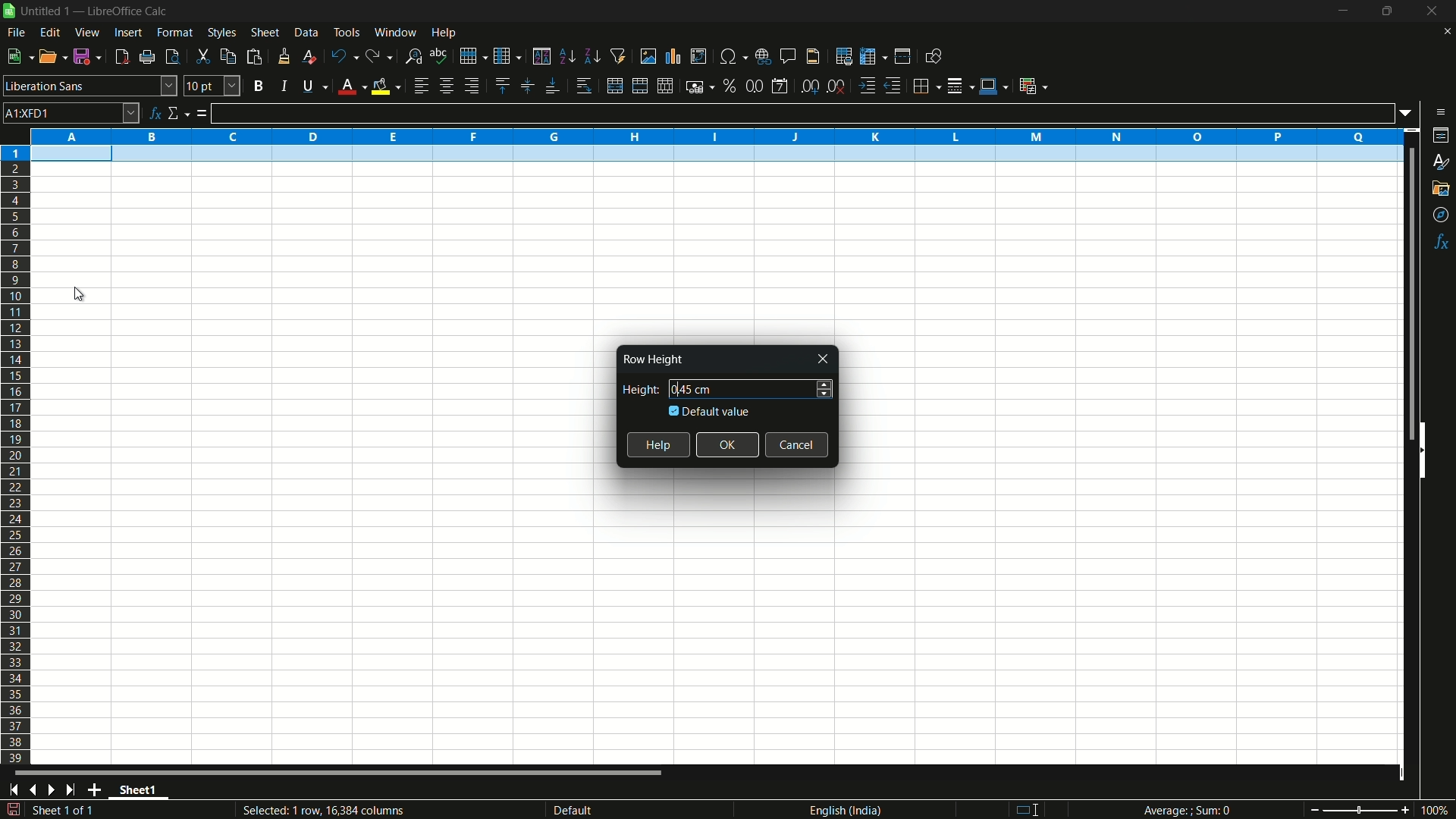  I want to click on insert comment, so click(789, 56).